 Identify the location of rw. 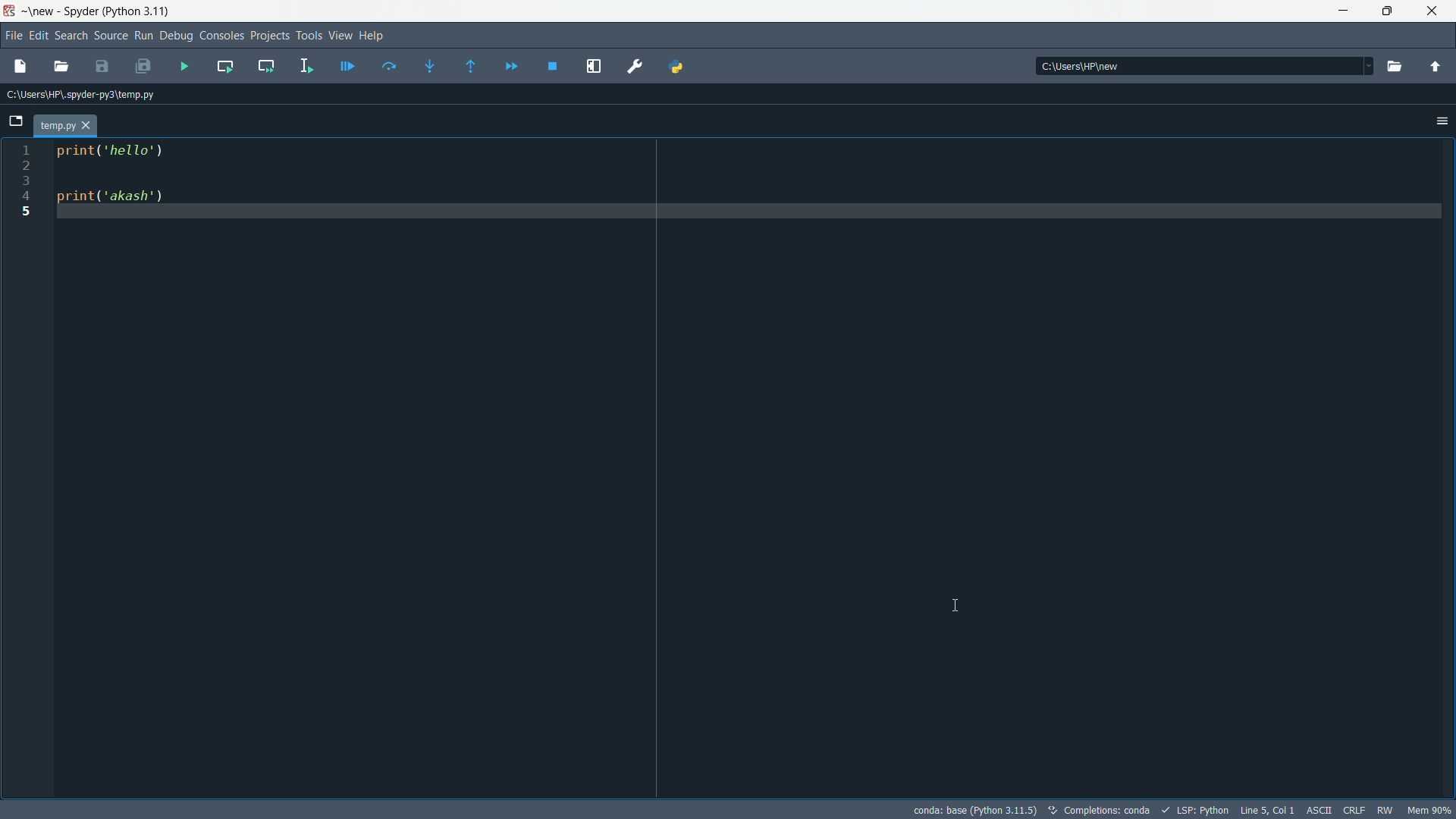
(1385, 811).